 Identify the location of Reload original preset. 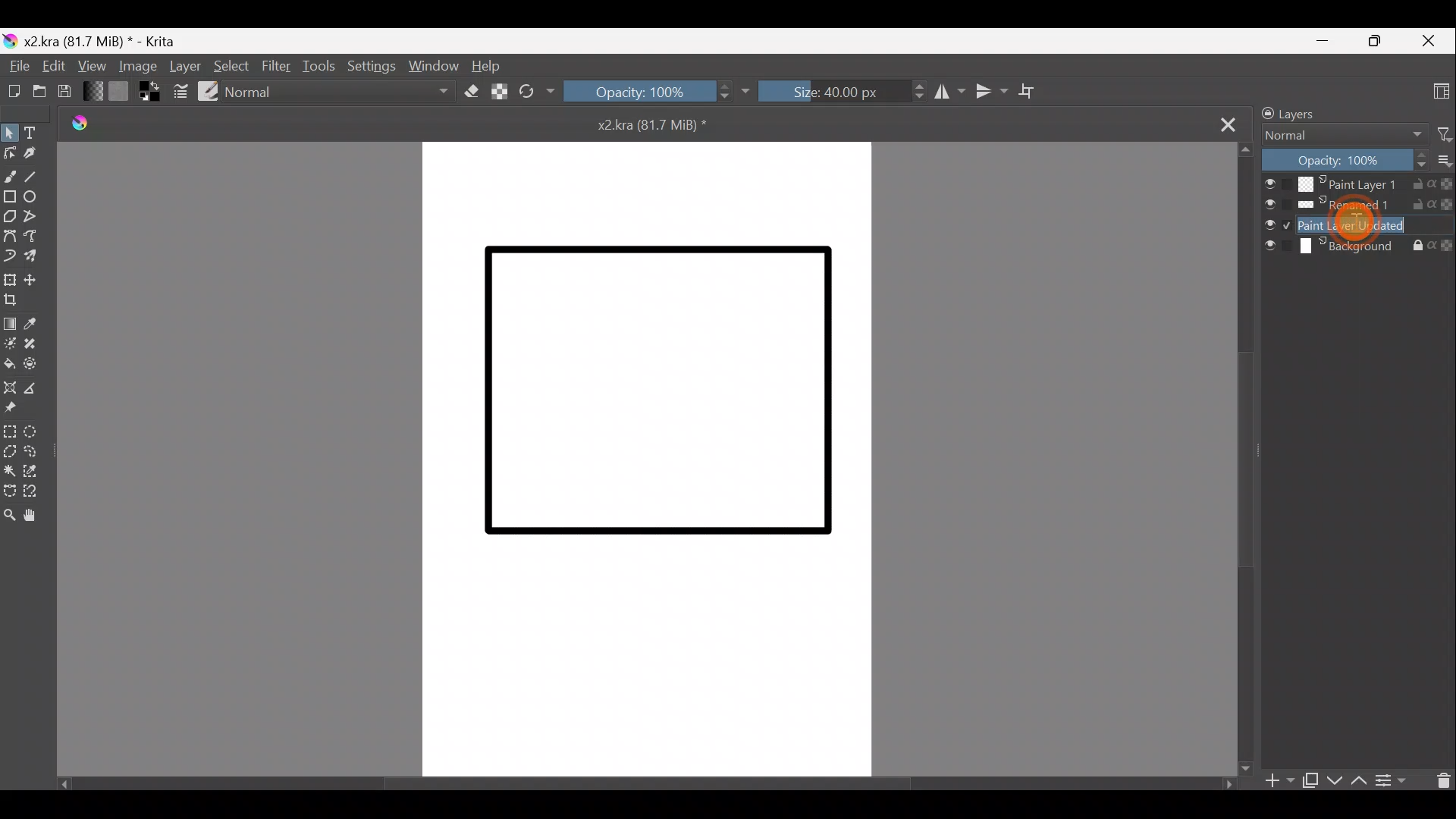
(533, 93).